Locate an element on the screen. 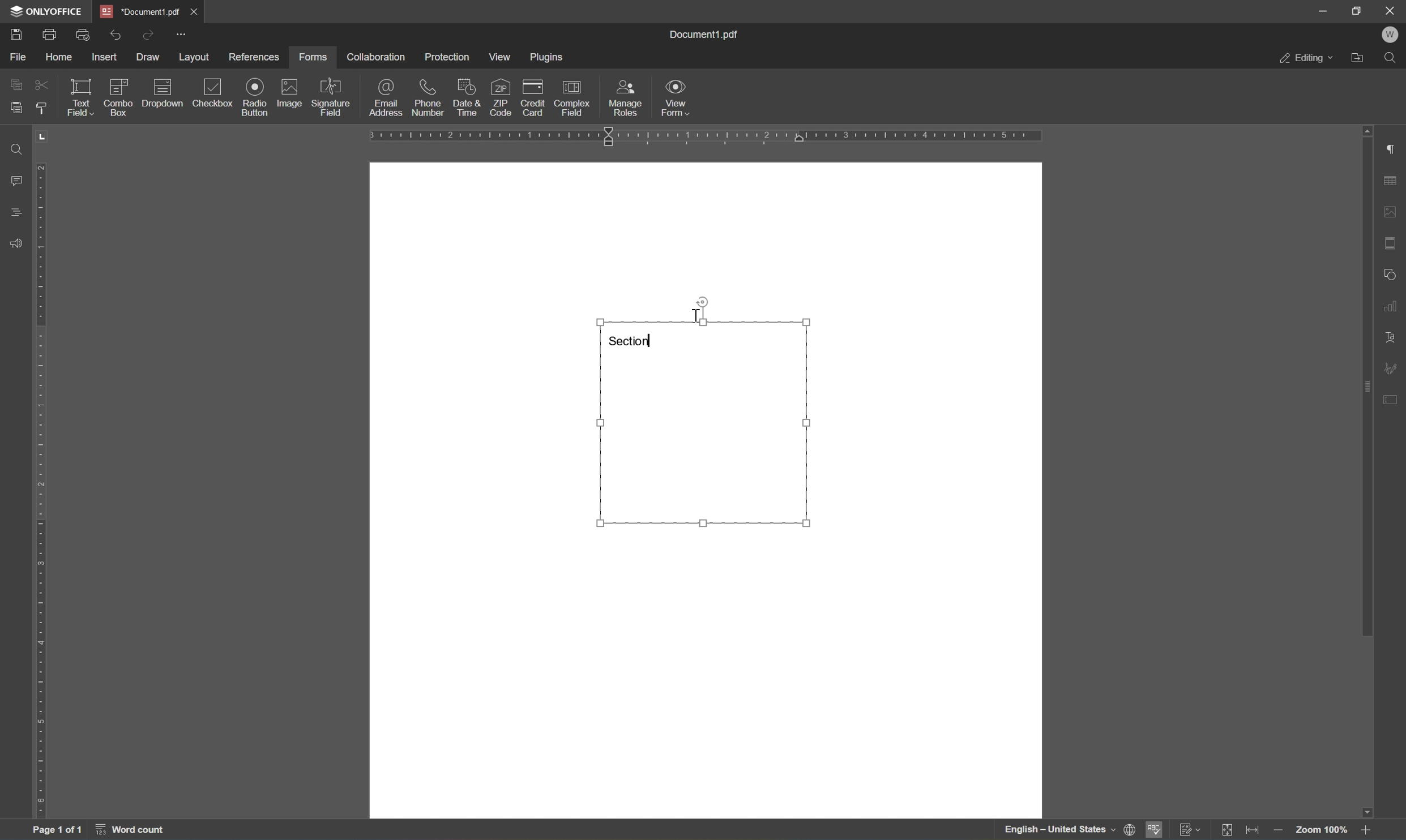 This screenshot has height=840, width=1406. shape settings is located at coordinates (1390, 273).